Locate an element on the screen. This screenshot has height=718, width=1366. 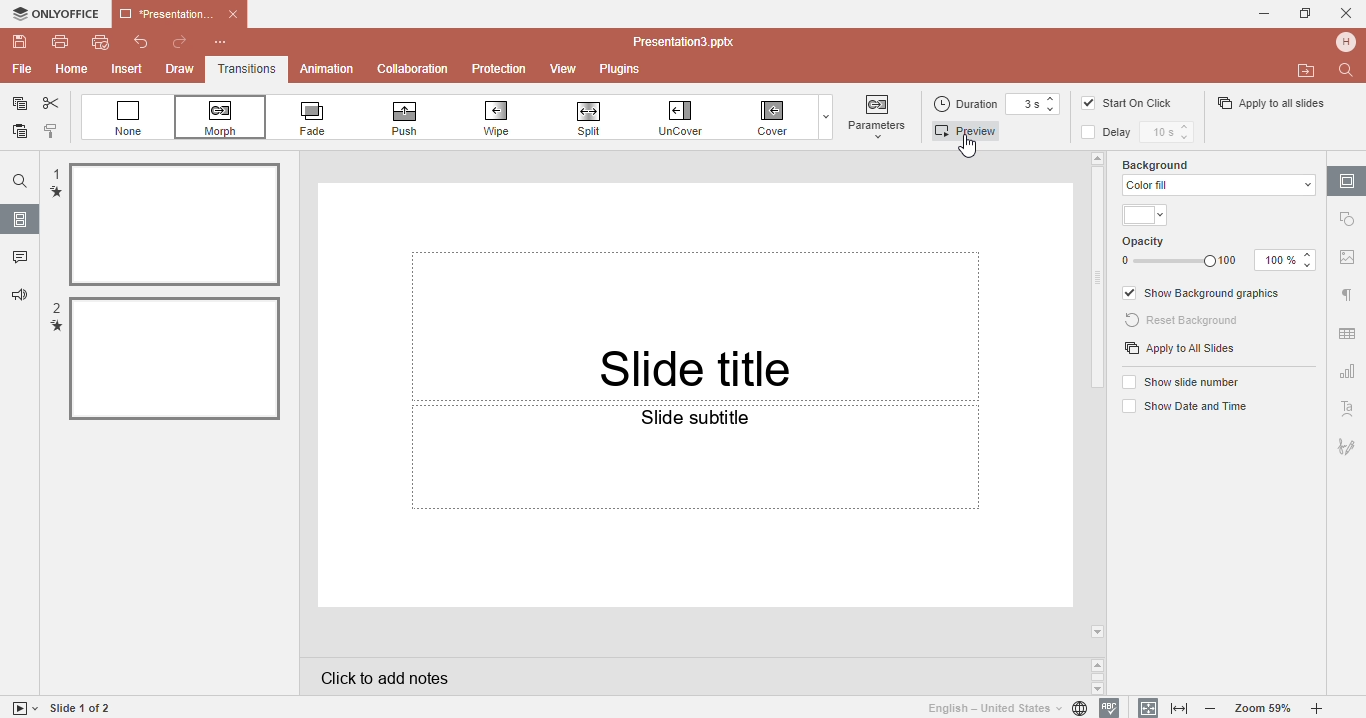
Preview is located at coordinates (971, 131).